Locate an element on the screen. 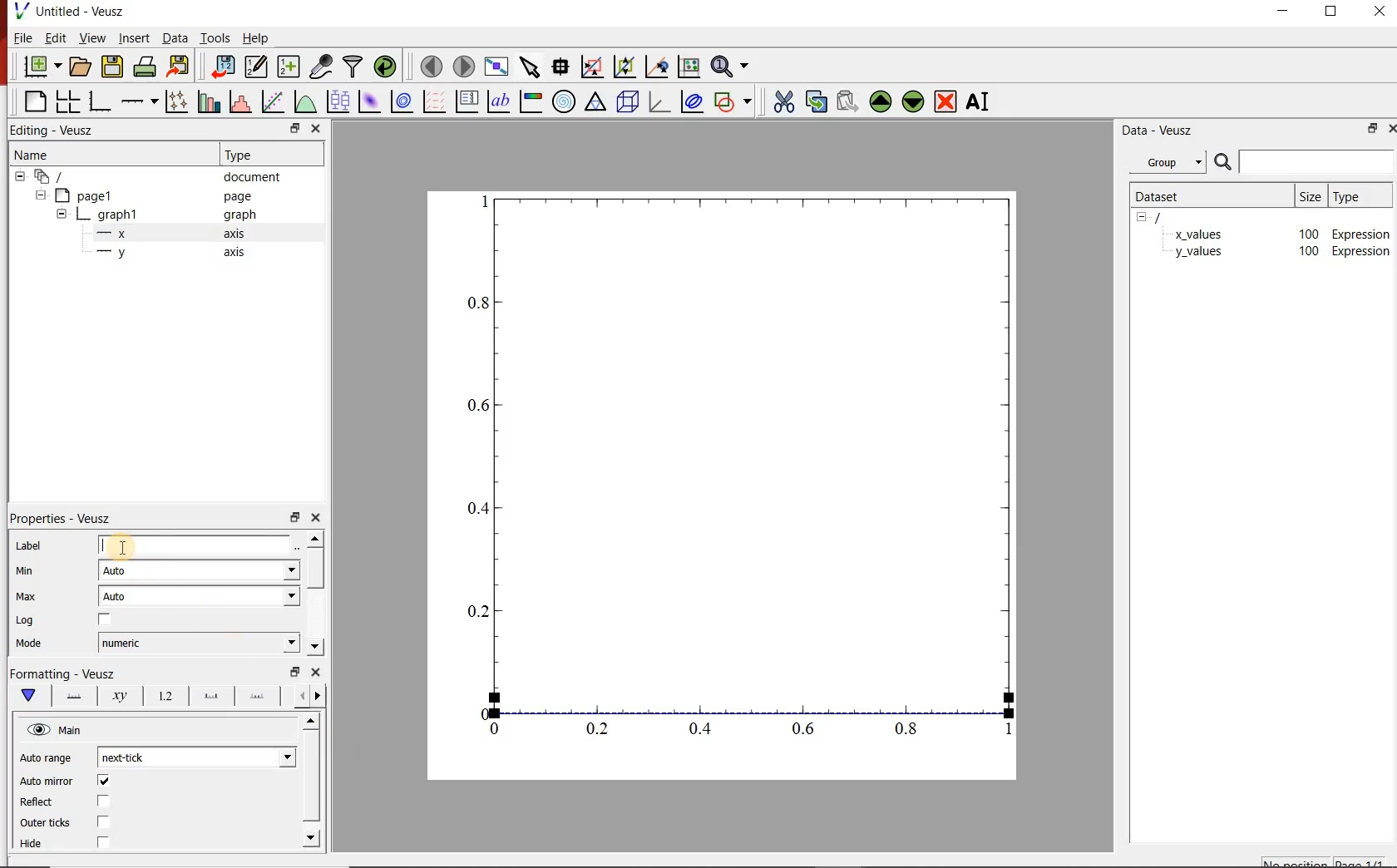  group is located at coordinates (1165, 162).